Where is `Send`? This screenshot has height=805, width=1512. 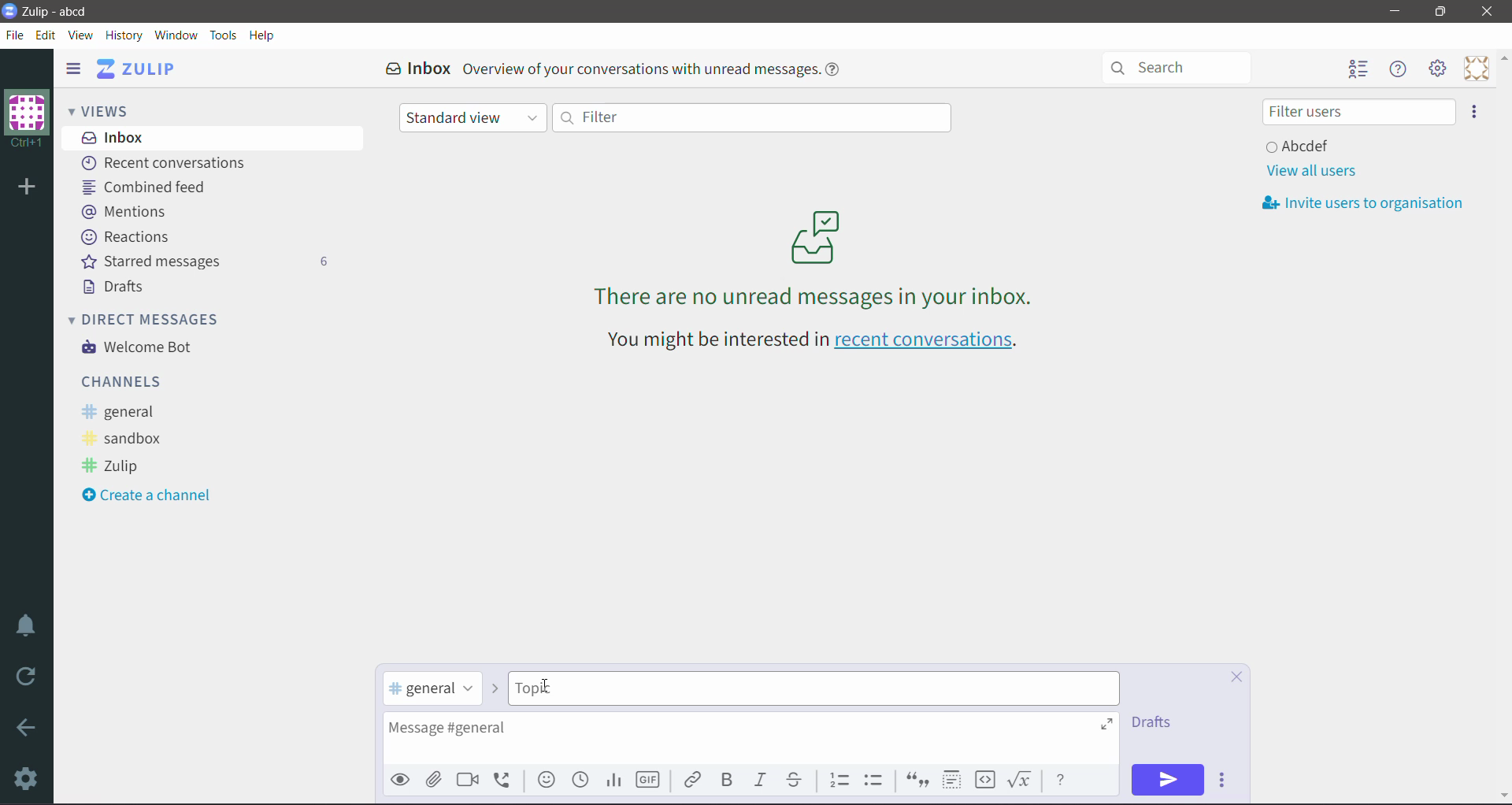 Send is located at coordinates (1168, 780).